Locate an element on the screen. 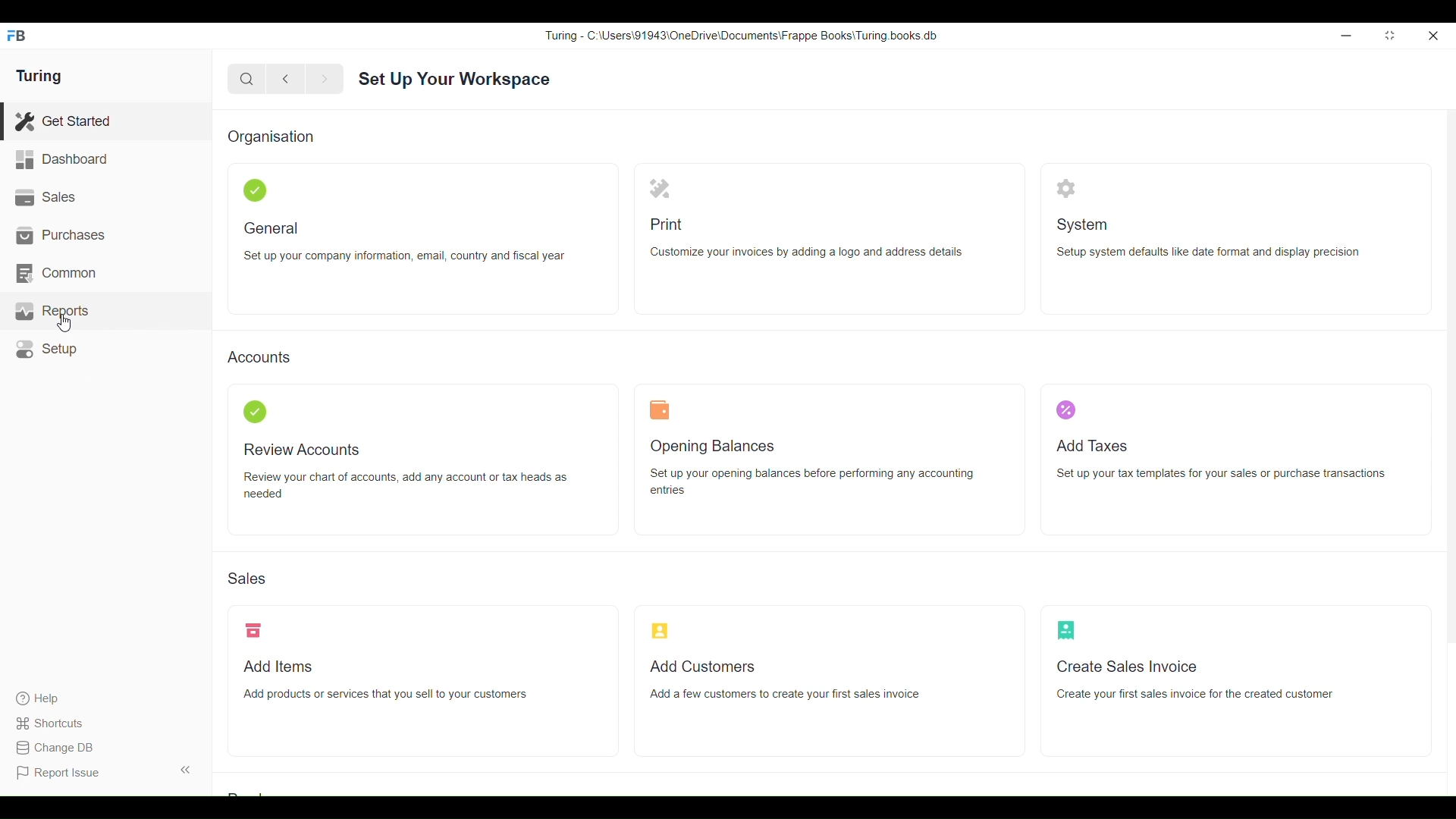  Add Customers Add a few customers to create your first sales invoice is located at coordinates (786, 679).